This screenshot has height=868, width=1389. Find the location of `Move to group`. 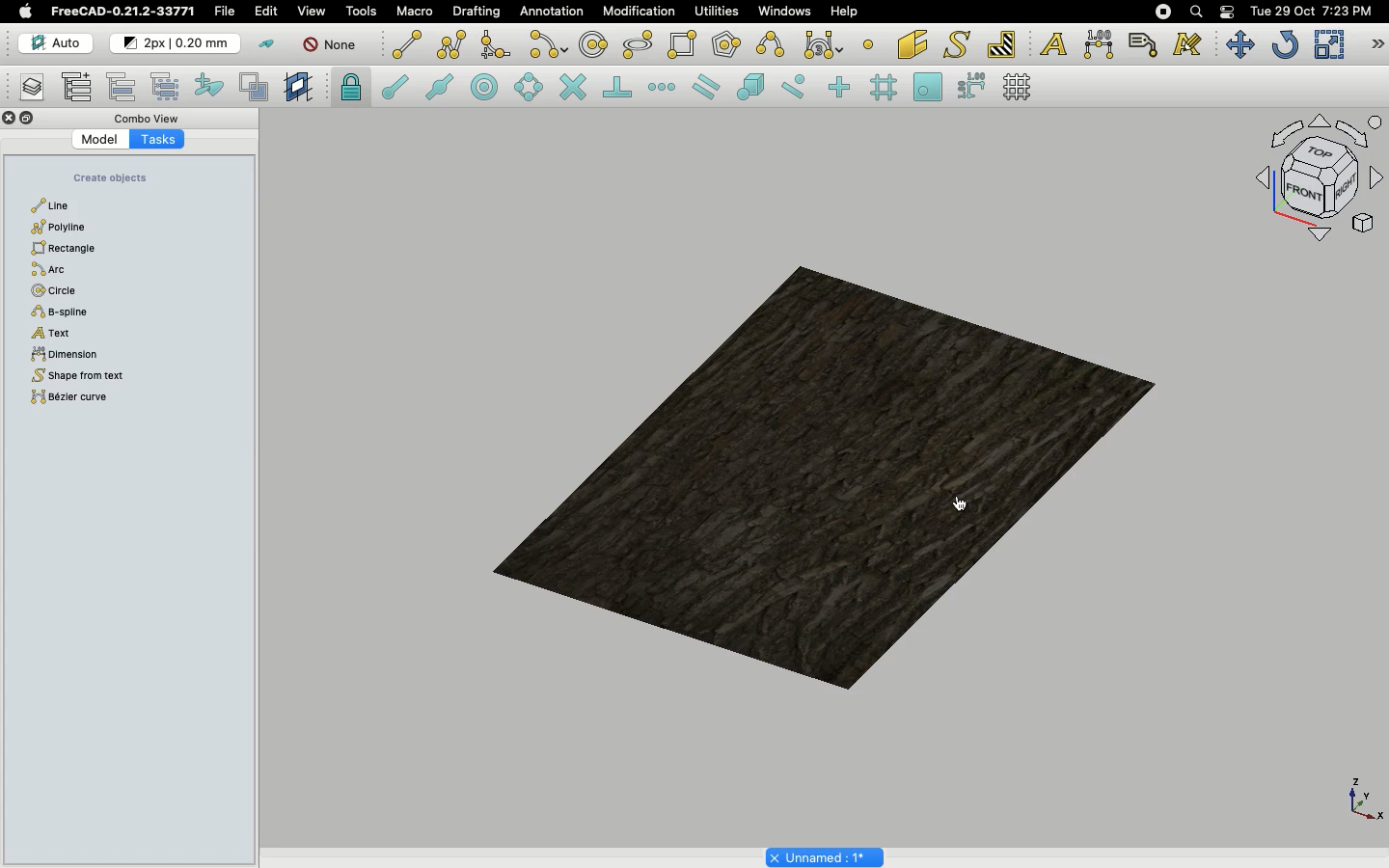

Move to group is located at coordinates (123, 86).